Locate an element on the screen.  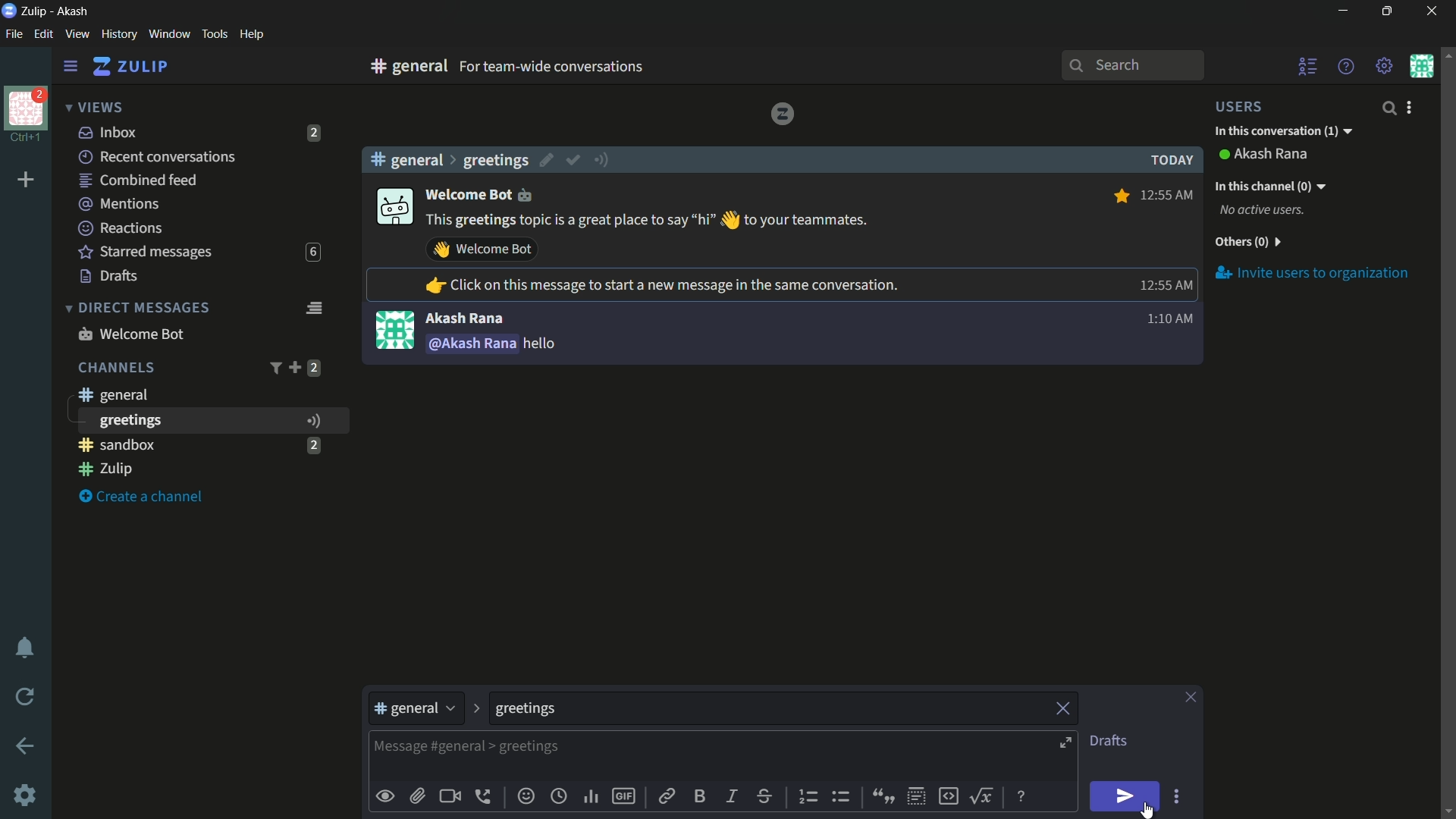
2 unread messages is located at coordinates (314, 368).